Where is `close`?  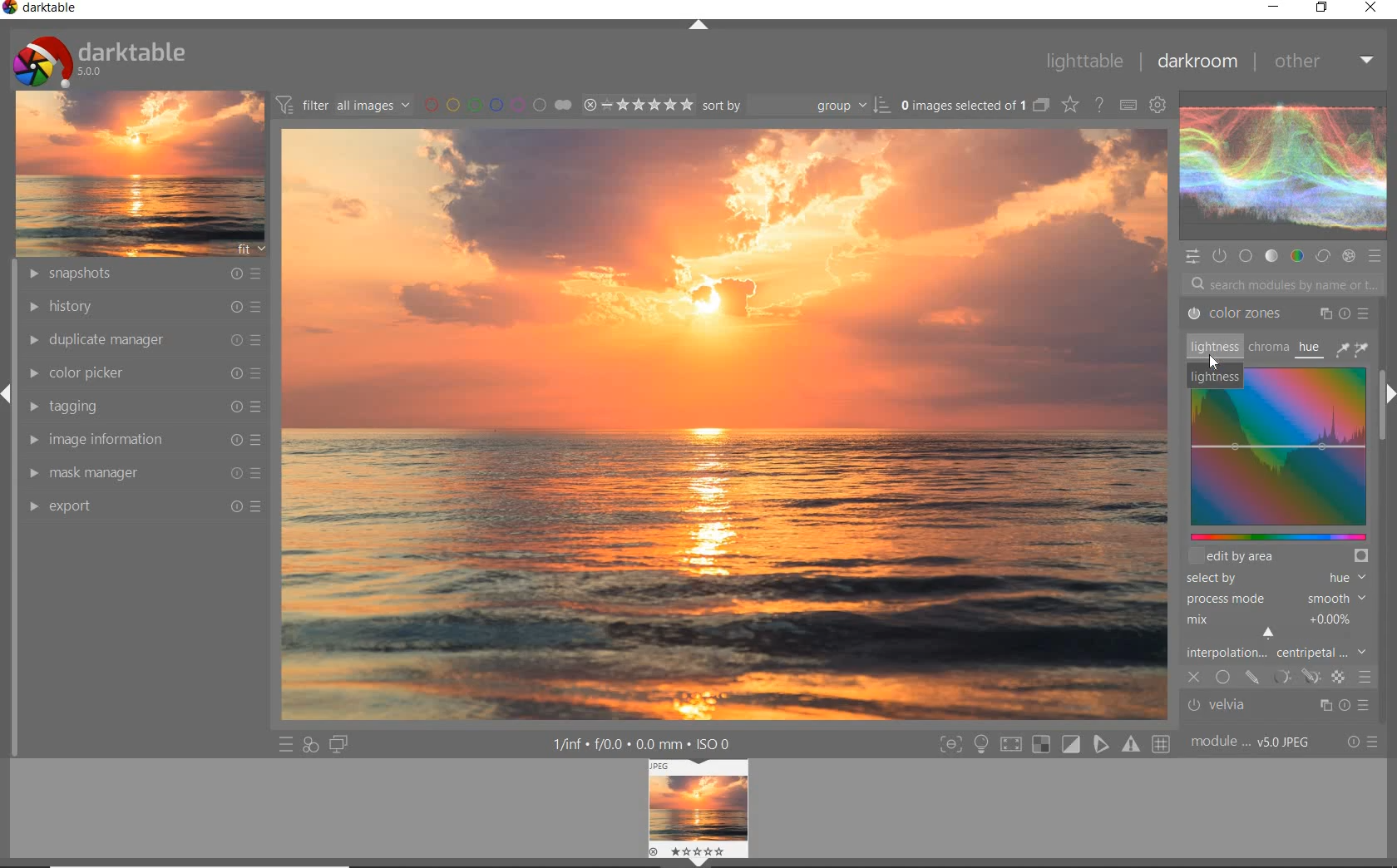
close is located at coordinates (1374, 9).